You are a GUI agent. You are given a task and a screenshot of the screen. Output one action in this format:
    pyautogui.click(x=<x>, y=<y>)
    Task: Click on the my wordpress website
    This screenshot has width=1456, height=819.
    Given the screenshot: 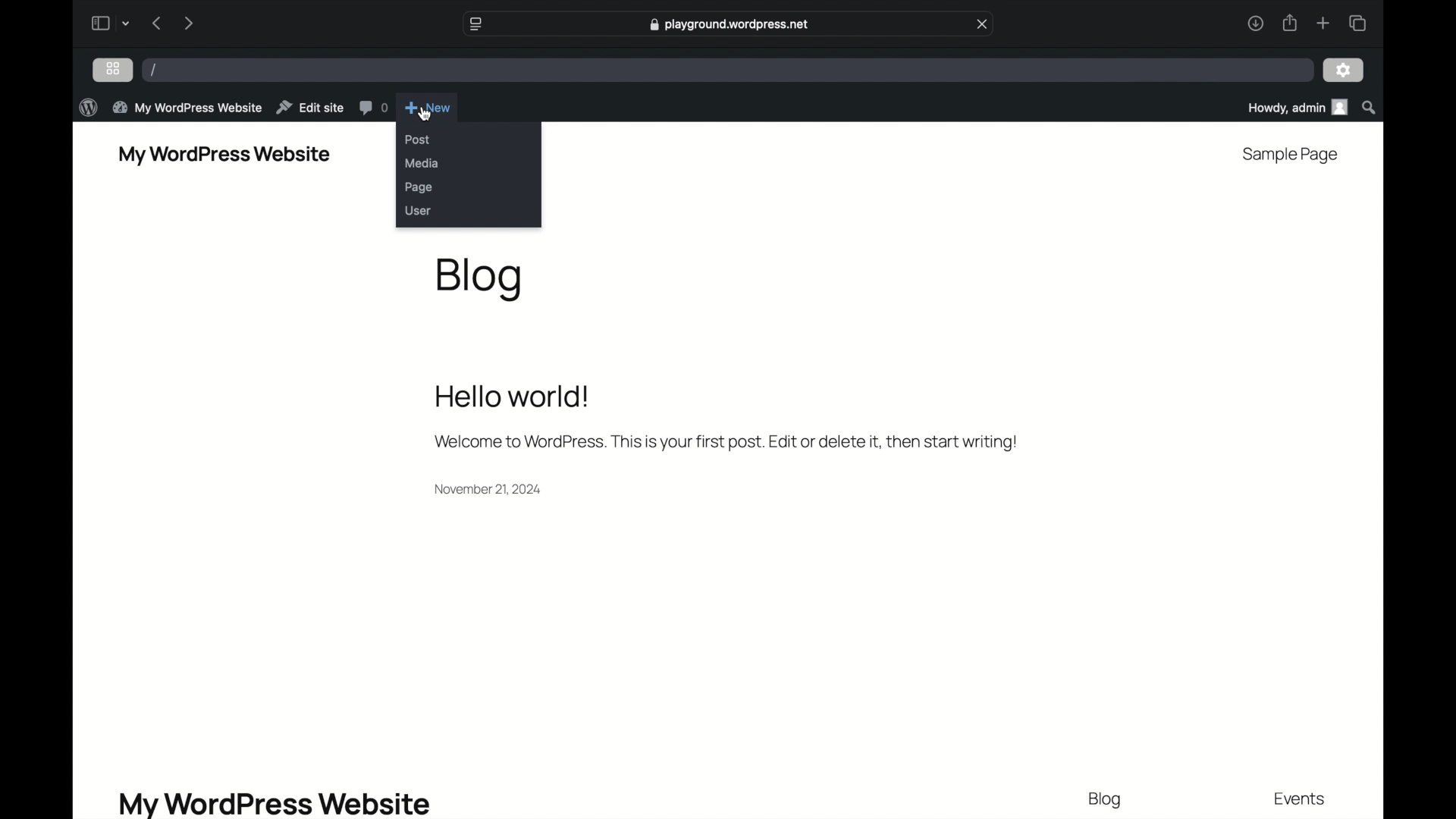 What is the action you would take?
    pyautogui.click(x=187, y=108)
    